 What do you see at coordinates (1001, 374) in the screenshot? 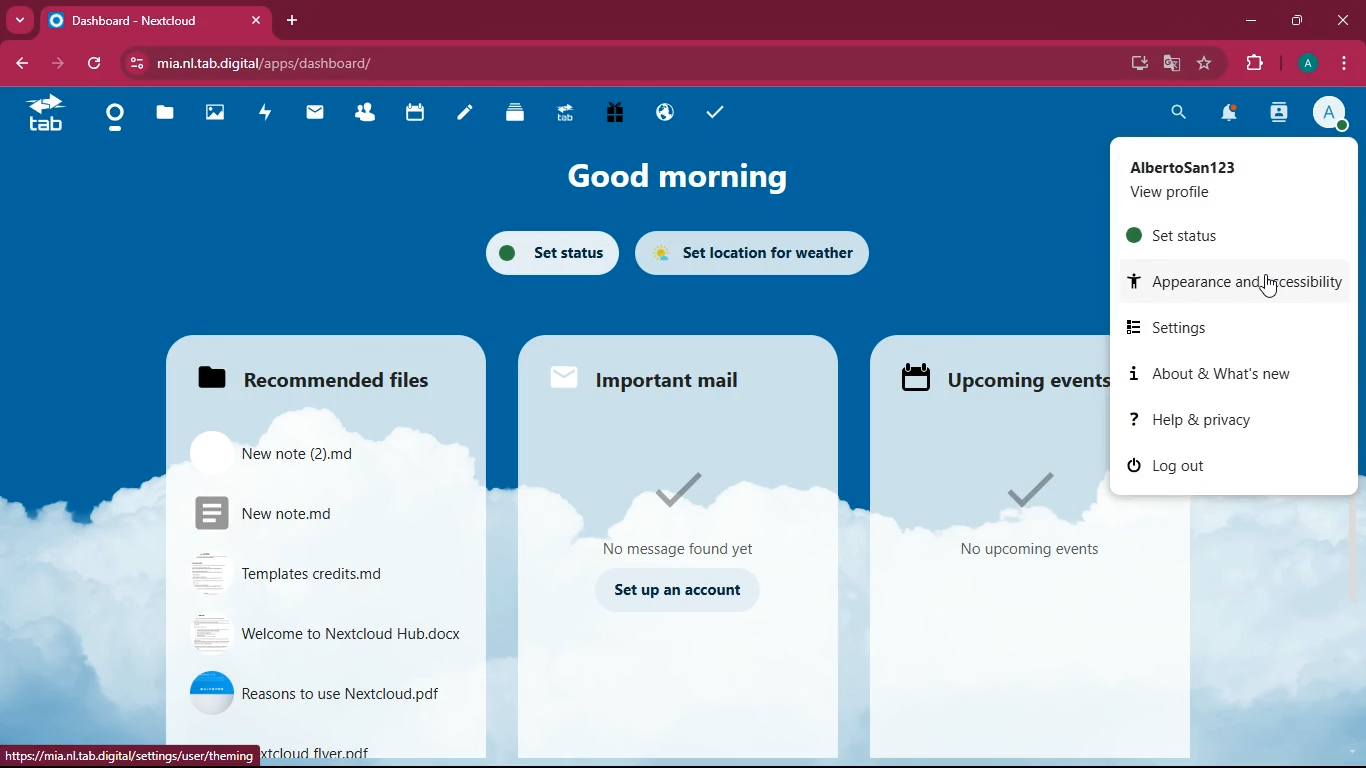
I see `events` at bounding box center [1001, 374].